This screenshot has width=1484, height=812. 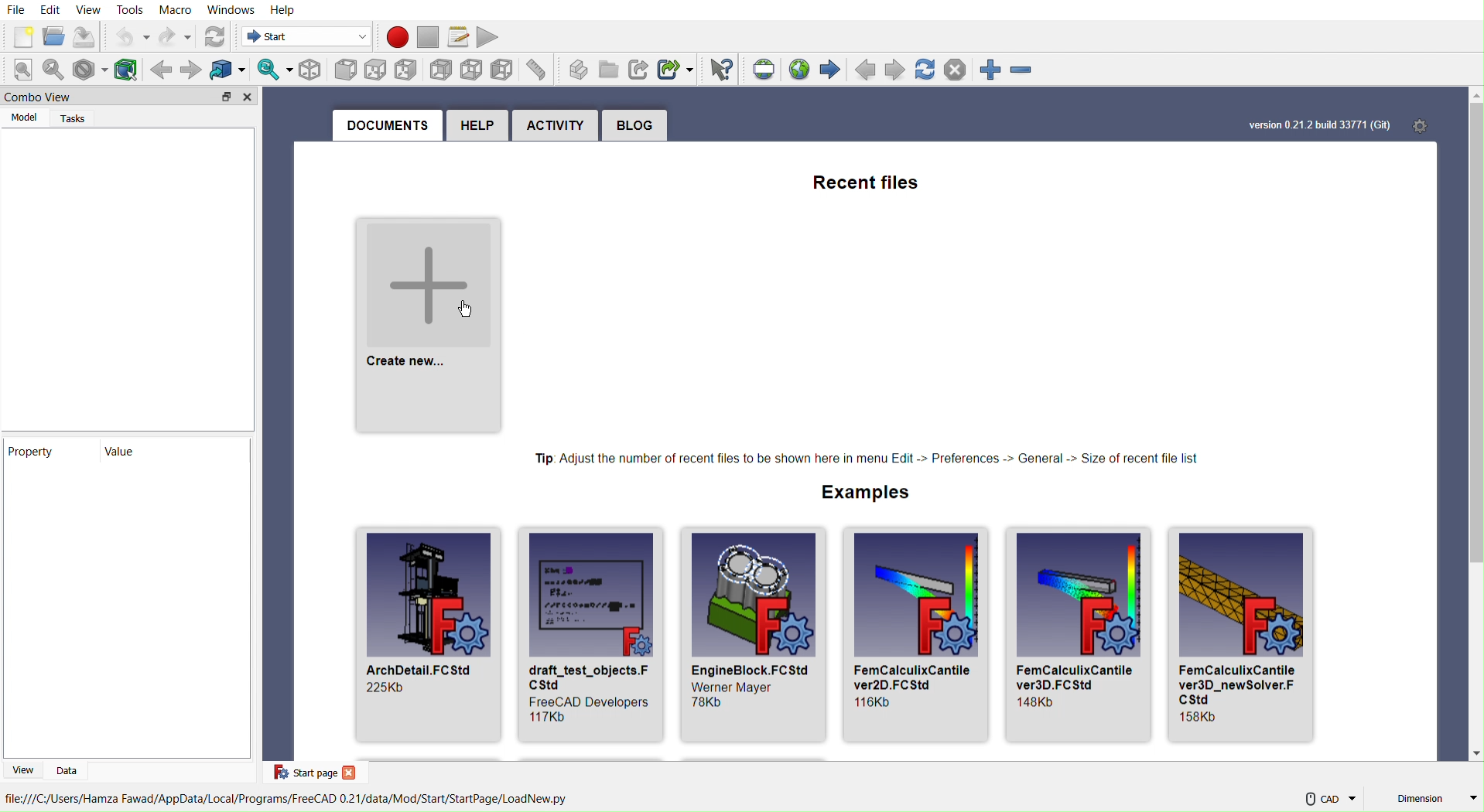 What do you see at coordinates (87, 37) in the screenshot?
I see `Save the active document` at bounding box center [87, 37].